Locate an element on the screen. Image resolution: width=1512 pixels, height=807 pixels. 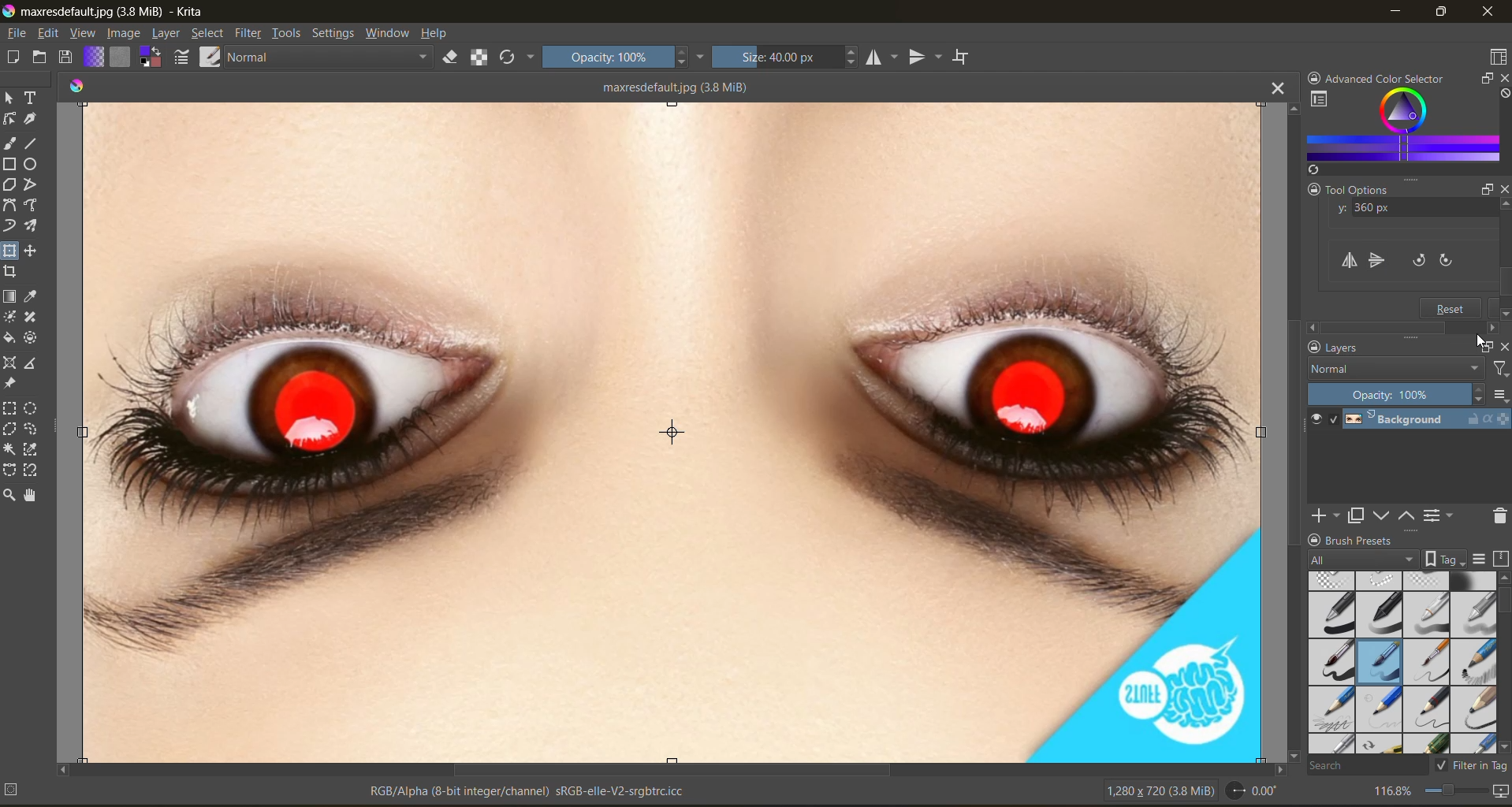
opacity is located at coordinates (1397, 393).